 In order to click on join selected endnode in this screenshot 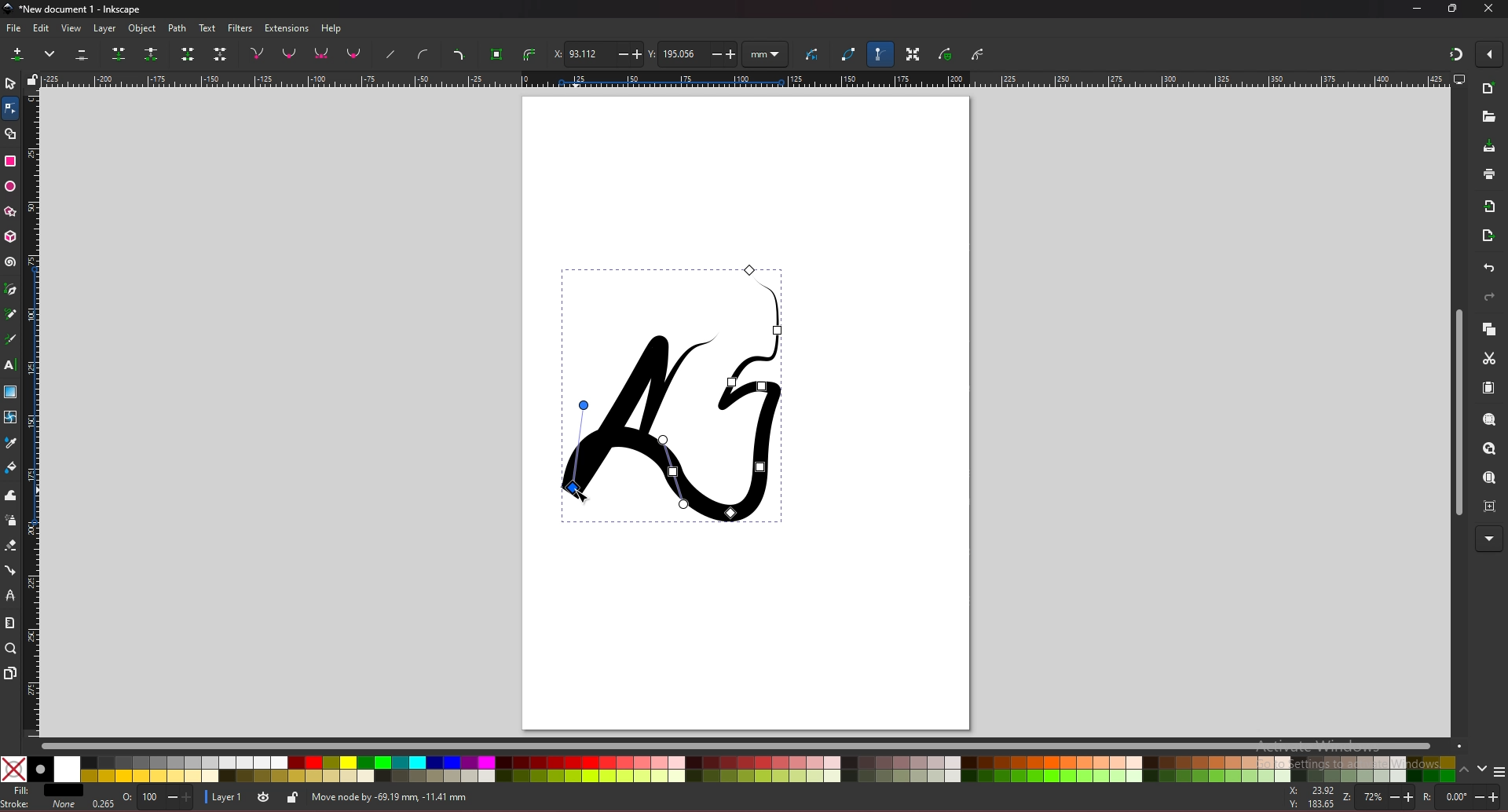, I will do `click(188, 53)`.